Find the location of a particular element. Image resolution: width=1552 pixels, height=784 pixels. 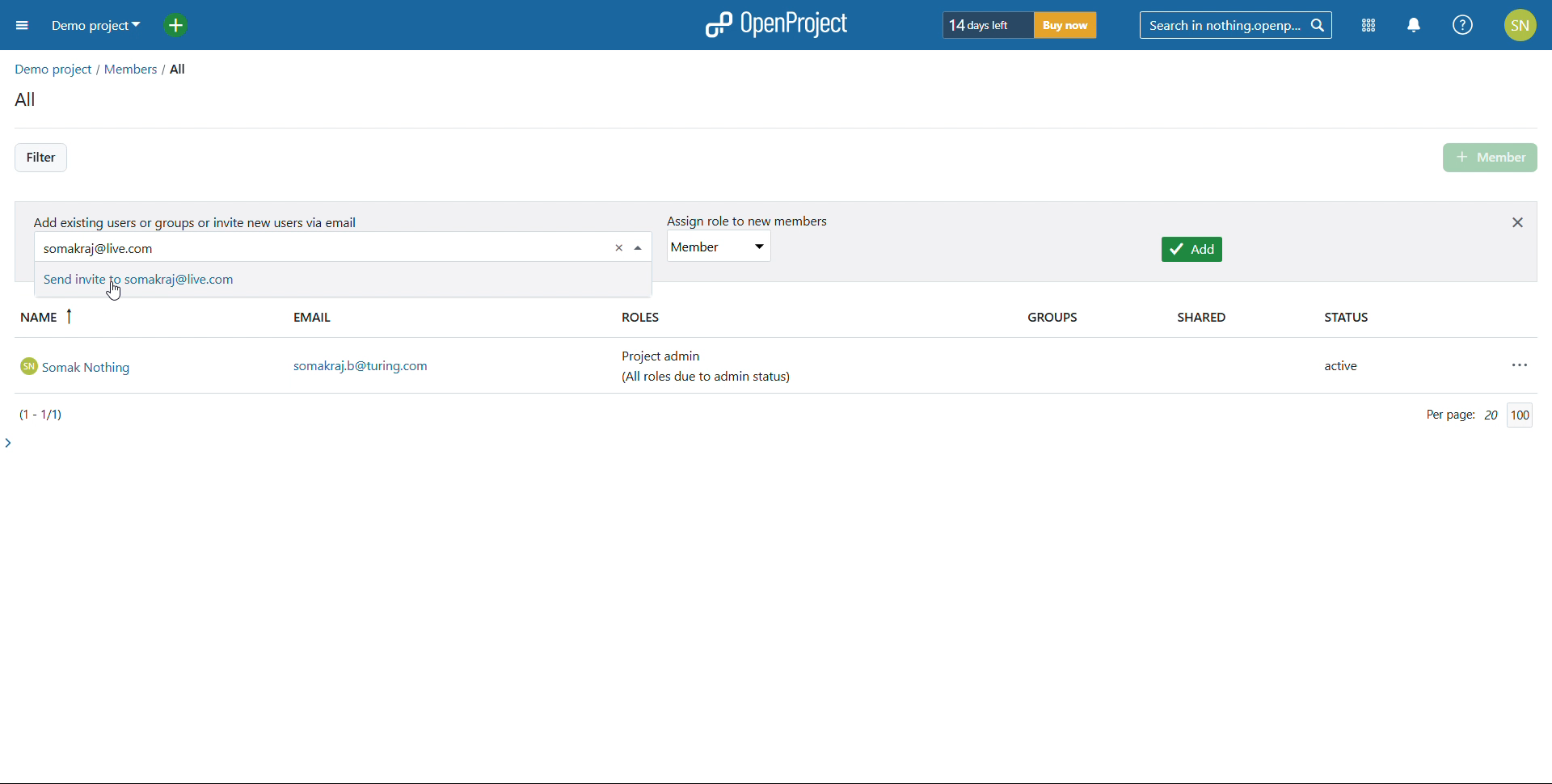

somak Nothing  is located at coordinates (145, 365).